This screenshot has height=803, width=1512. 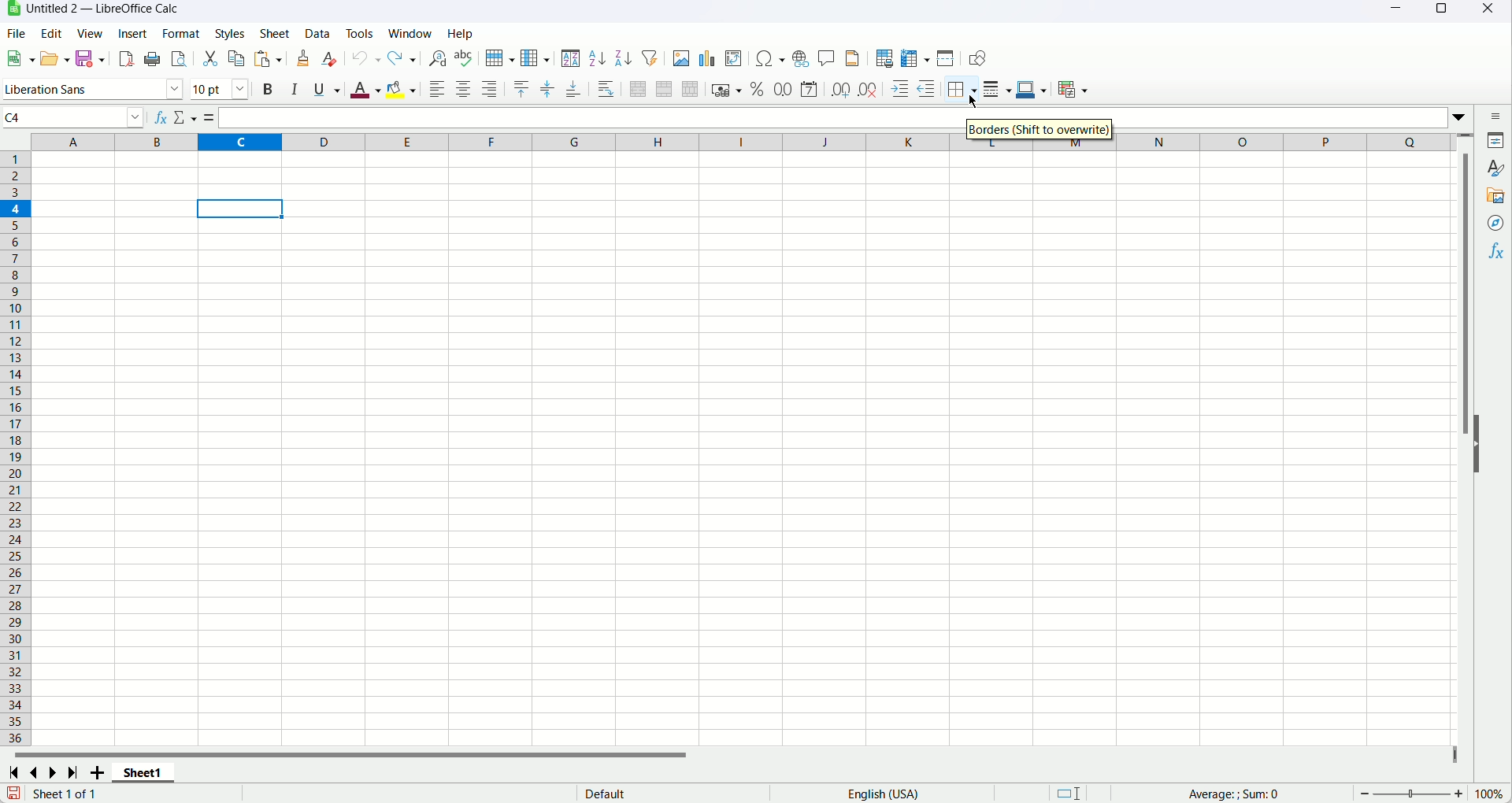 I want to click on Autofilter, so click(x=650, y=57).